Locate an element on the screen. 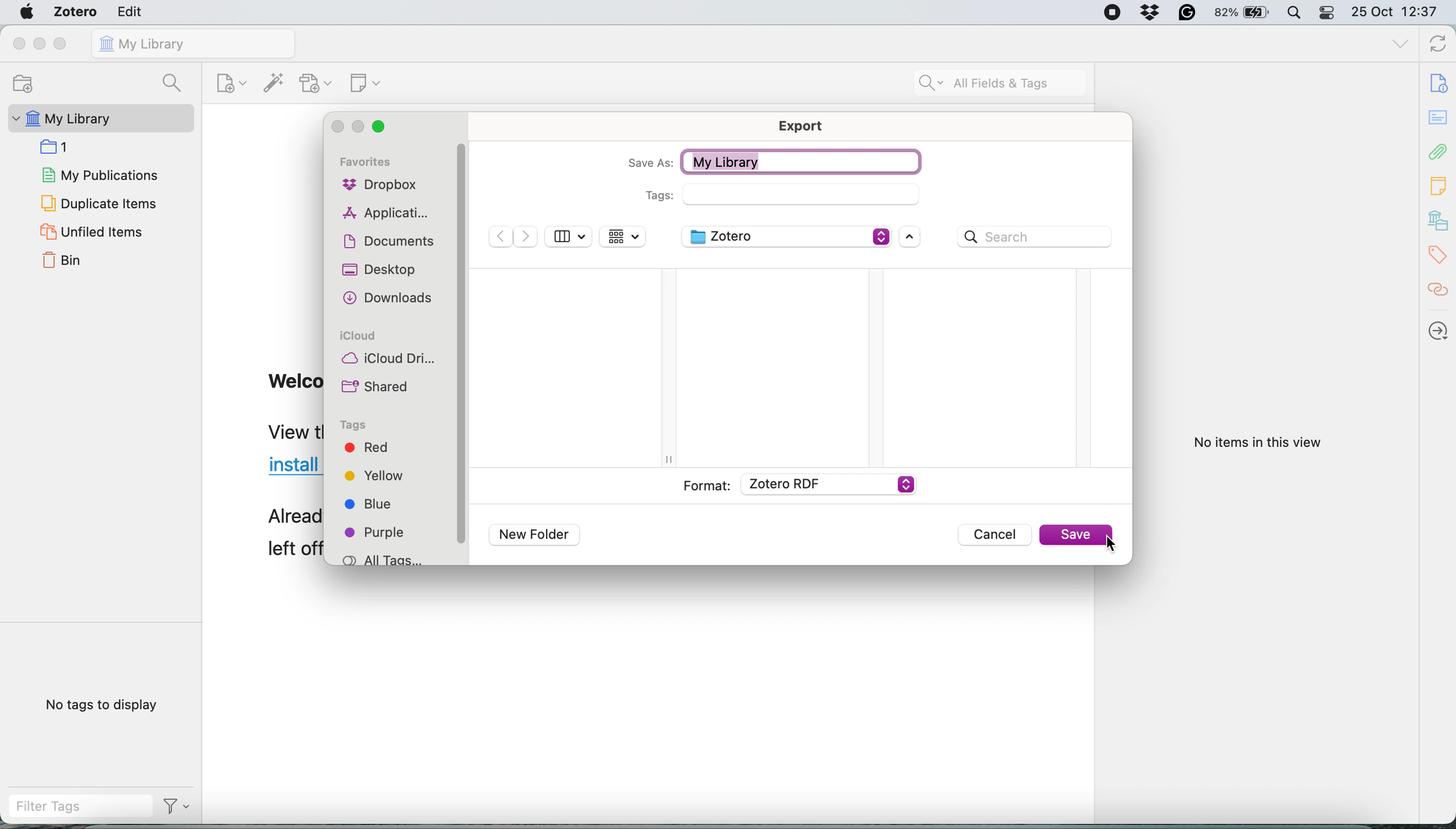 The height and width of the screenshot is (829, 1456). my library is located at coordinates (193, 43).